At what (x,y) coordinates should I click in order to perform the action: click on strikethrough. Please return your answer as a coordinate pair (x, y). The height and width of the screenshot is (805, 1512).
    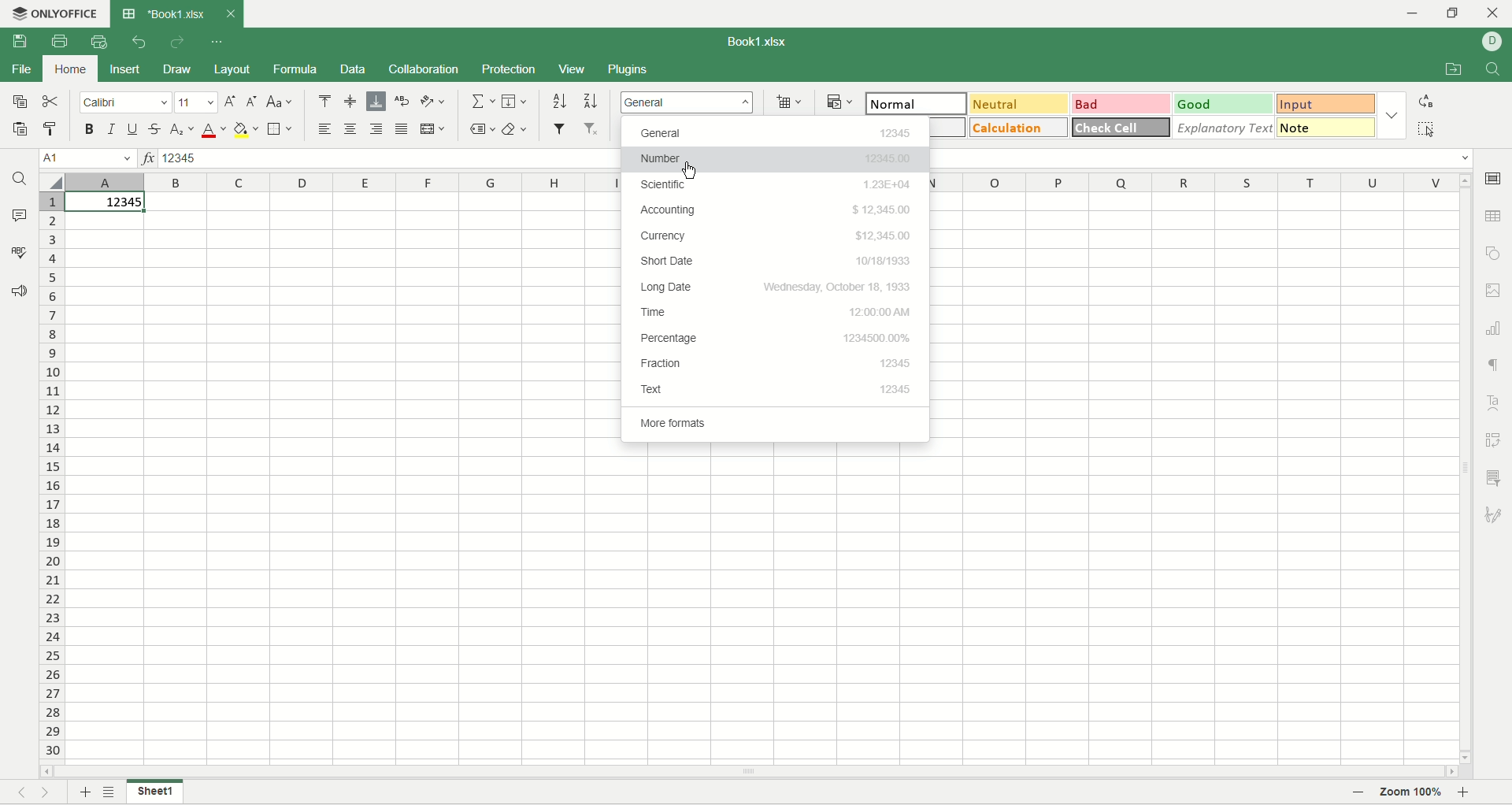
    Looking at the image, I should click on (155, 128).